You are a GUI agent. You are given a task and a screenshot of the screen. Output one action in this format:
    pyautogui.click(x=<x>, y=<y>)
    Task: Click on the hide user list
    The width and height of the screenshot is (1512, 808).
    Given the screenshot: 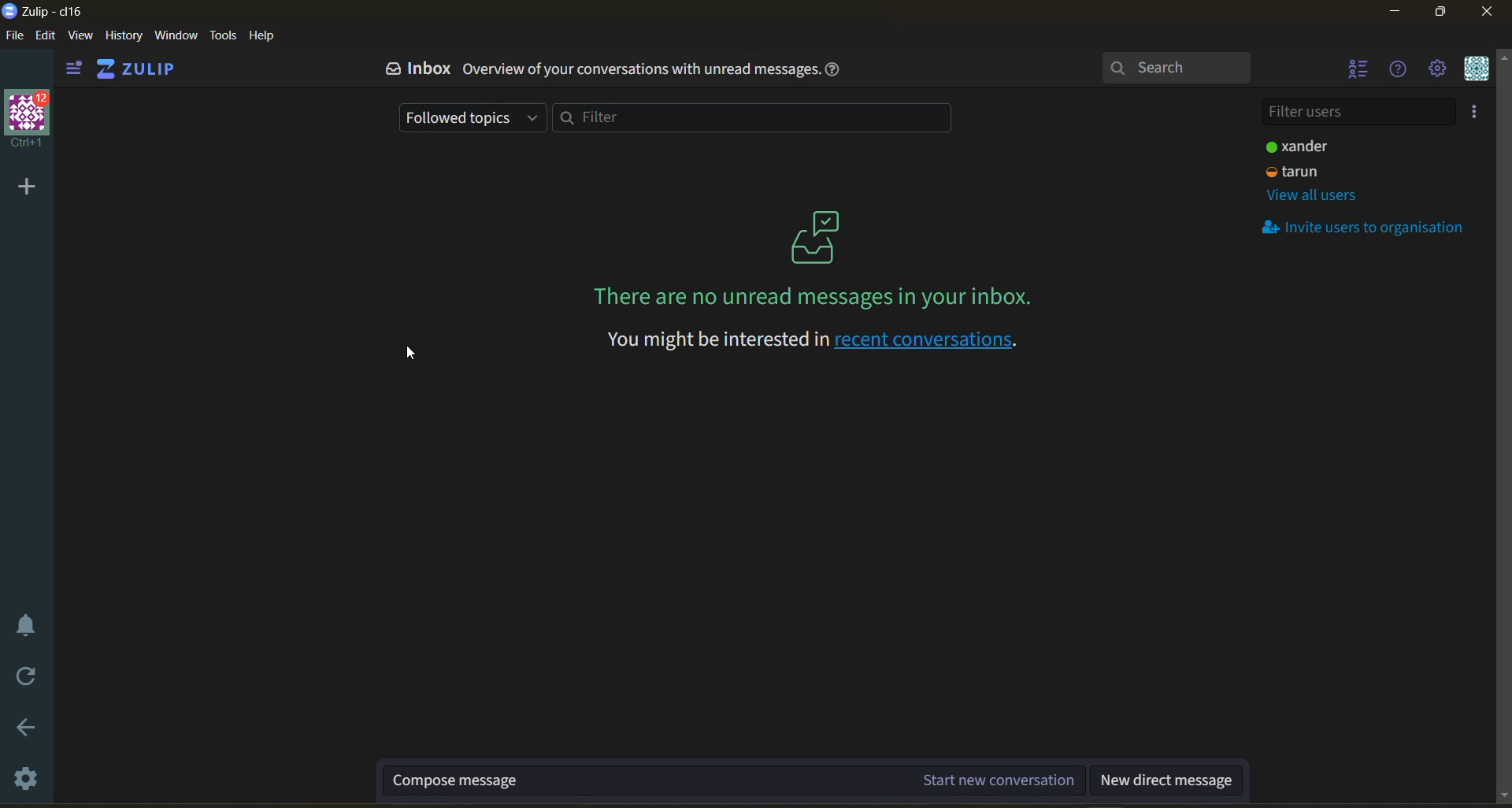 What is the action you would take?
    pyautogui.click(x=1363, y=72)
    